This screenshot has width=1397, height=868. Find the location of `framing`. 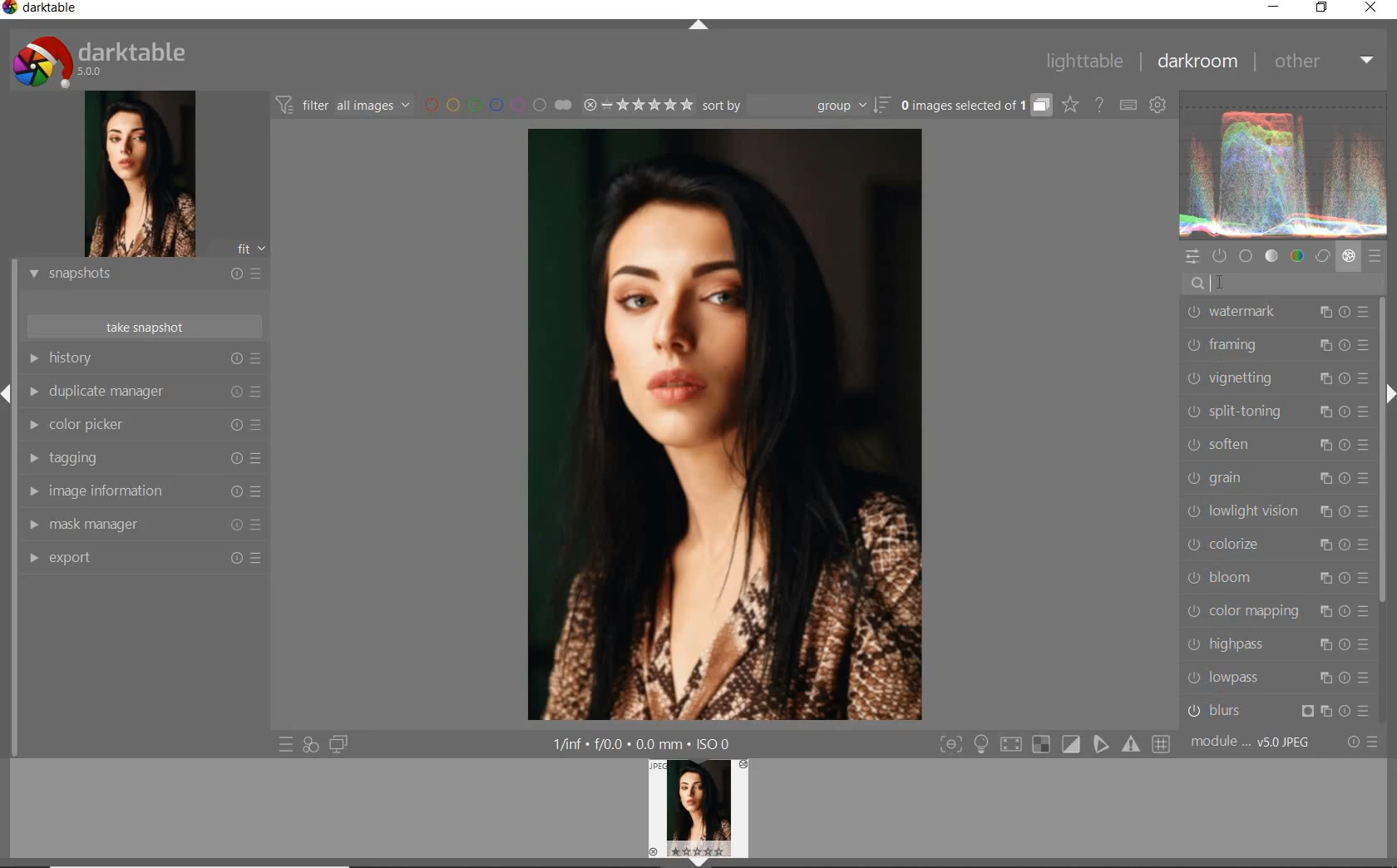

framing is located at coordinates (1276, 345).